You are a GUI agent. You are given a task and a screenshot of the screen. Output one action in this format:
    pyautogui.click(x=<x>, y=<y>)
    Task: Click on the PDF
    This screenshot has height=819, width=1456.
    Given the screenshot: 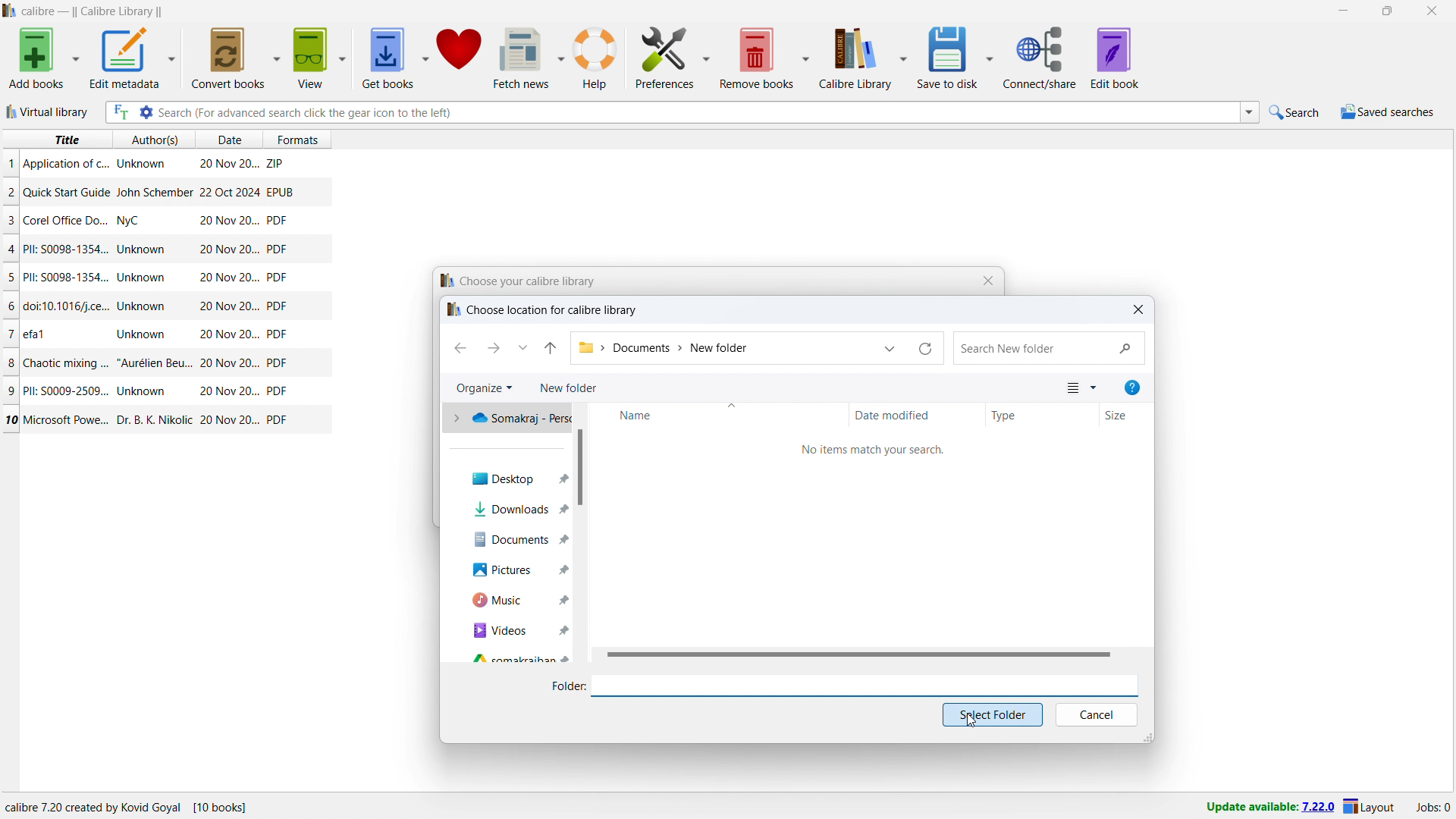 What is the action you would take?
    pyautogui.click(x=277, y=306)
    